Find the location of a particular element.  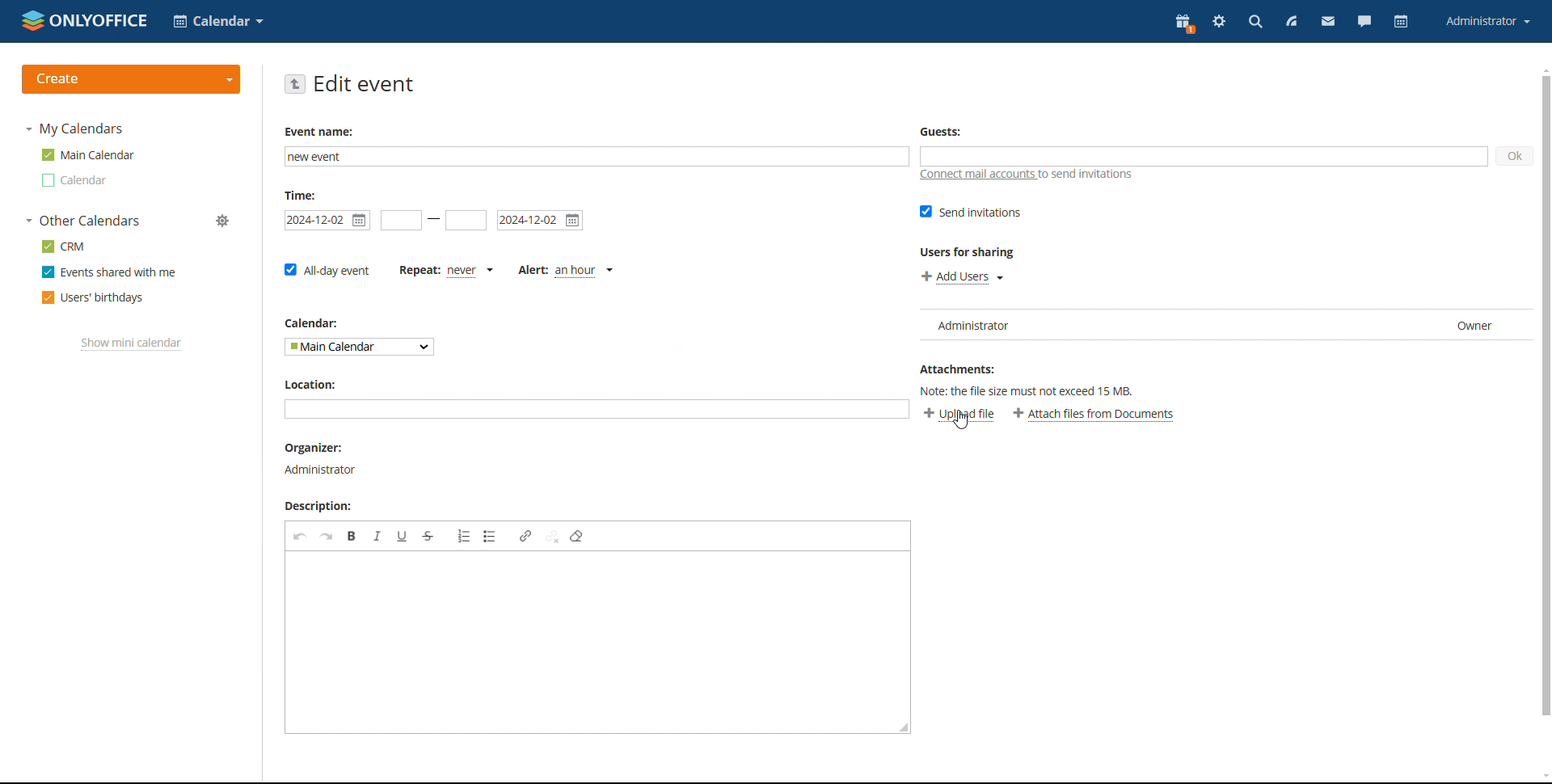

set repetition is located at coordinates (445, 272).